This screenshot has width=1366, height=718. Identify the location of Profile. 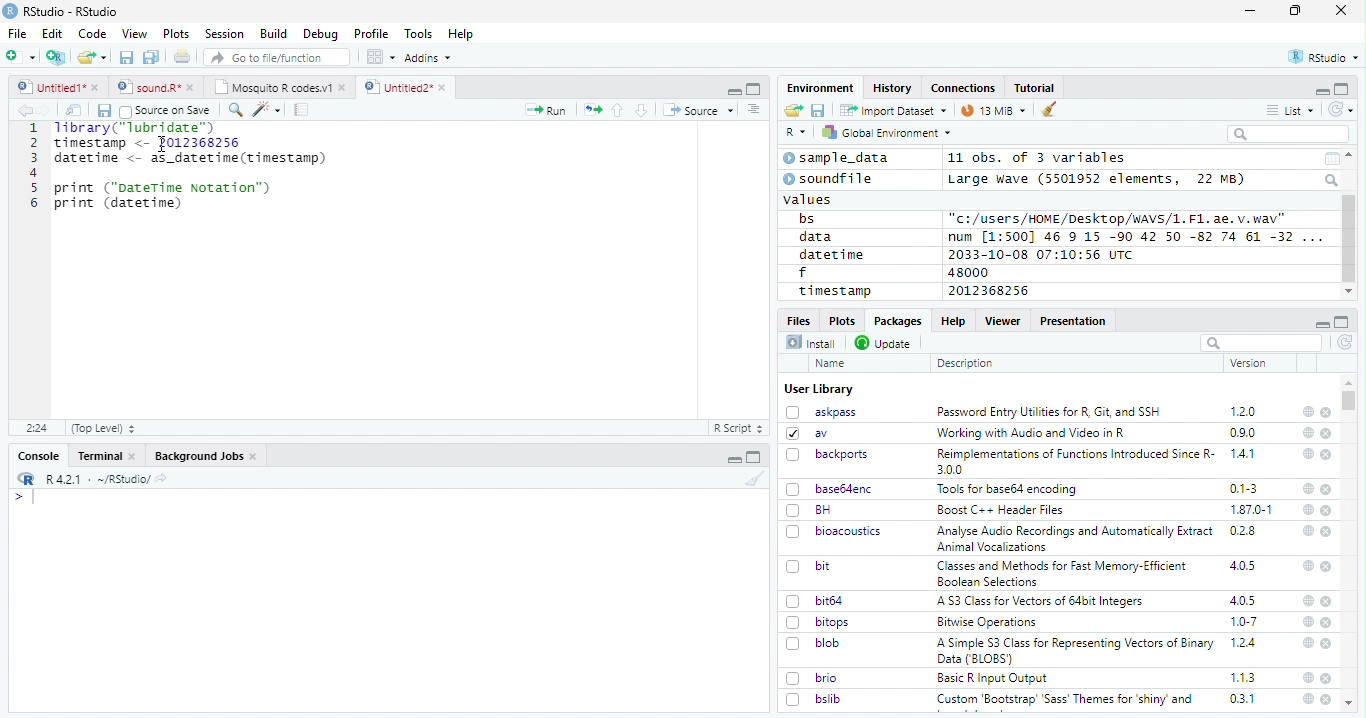
(371, 34).